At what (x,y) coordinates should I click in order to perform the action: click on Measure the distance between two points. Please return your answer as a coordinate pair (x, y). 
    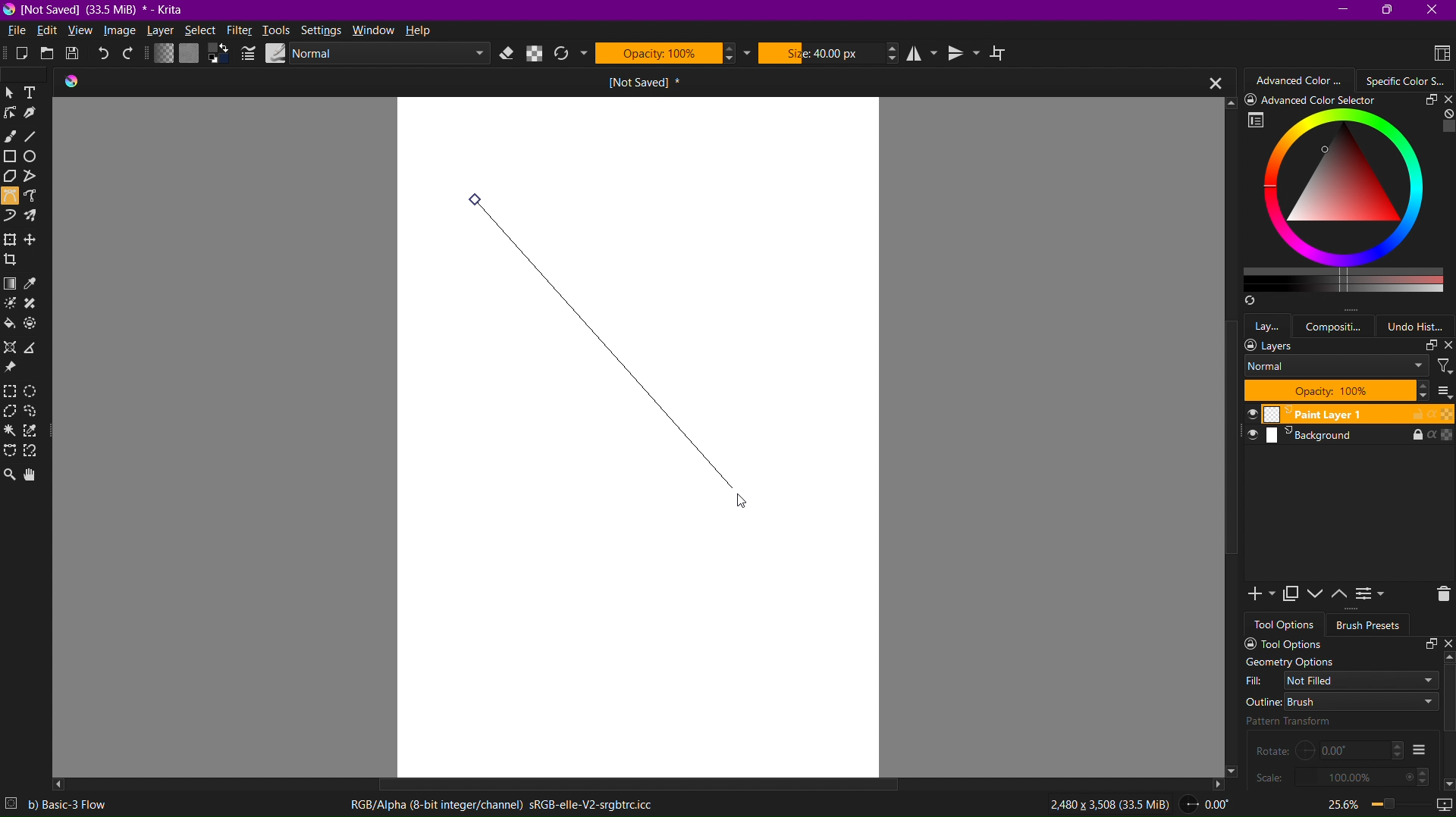
    Looking at the image, I should click on (35, 348).